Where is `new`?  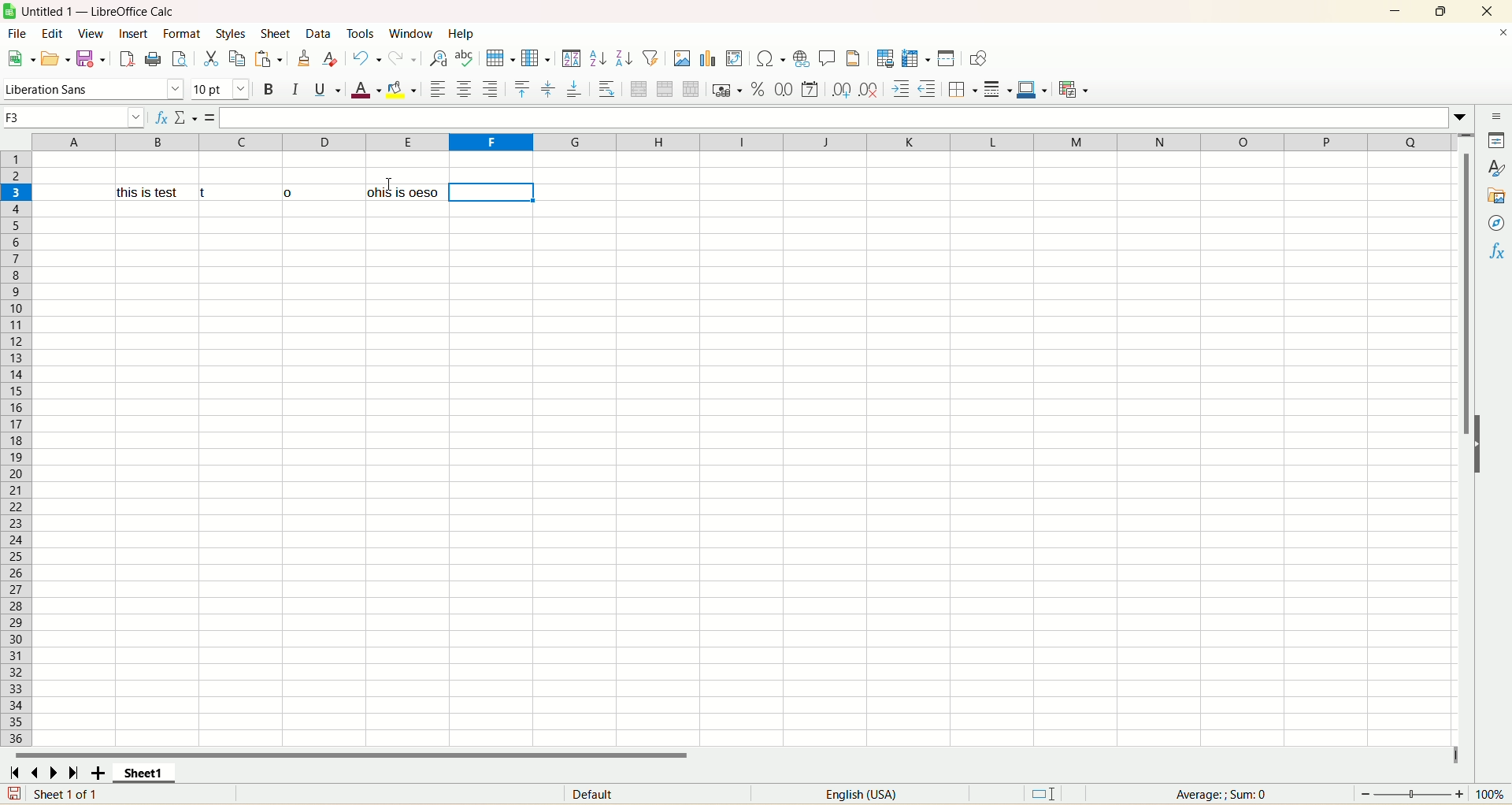
new is located at coordinates (21, 57).